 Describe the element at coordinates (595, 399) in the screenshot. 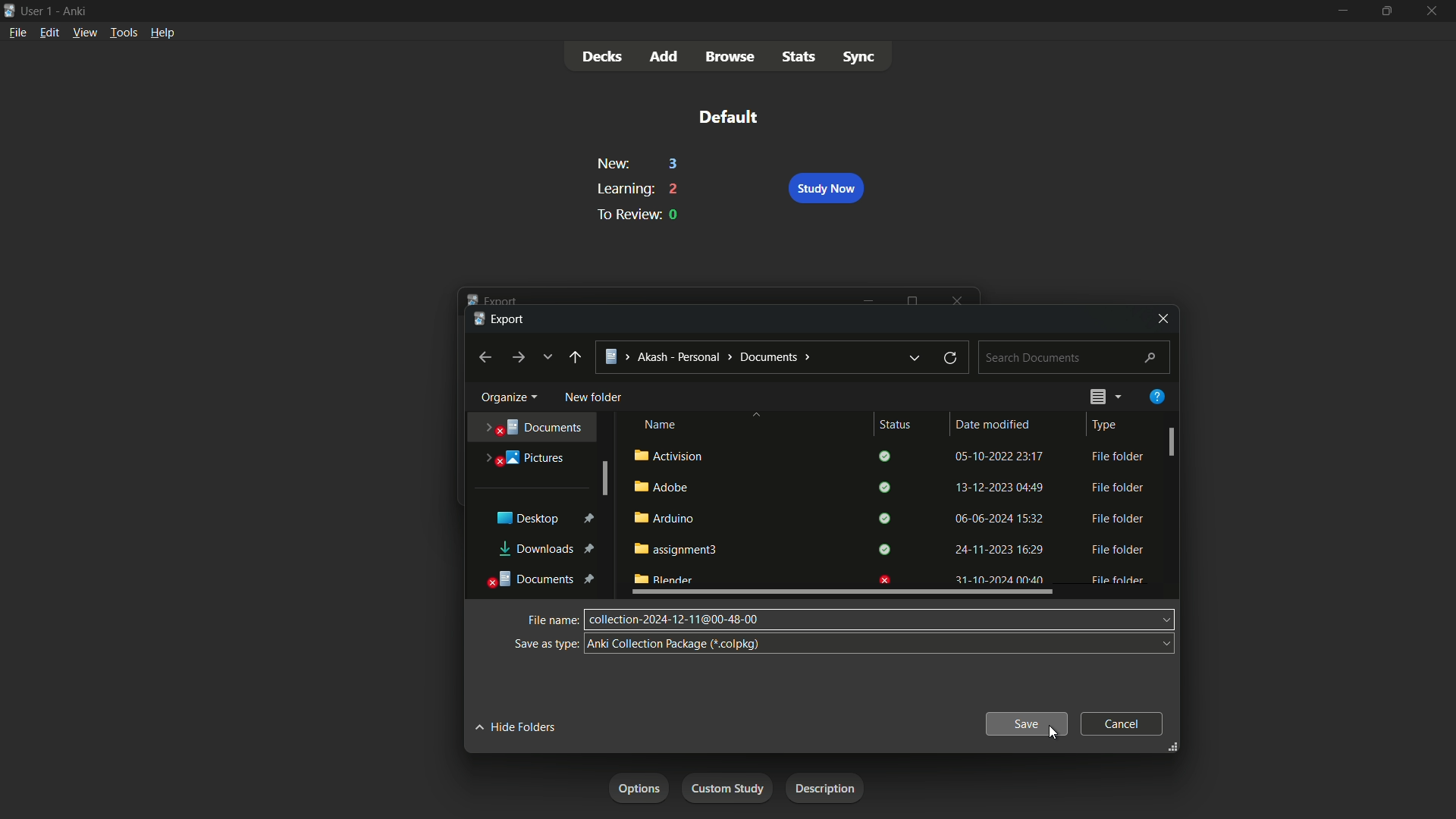

I see `new folder` at that location.